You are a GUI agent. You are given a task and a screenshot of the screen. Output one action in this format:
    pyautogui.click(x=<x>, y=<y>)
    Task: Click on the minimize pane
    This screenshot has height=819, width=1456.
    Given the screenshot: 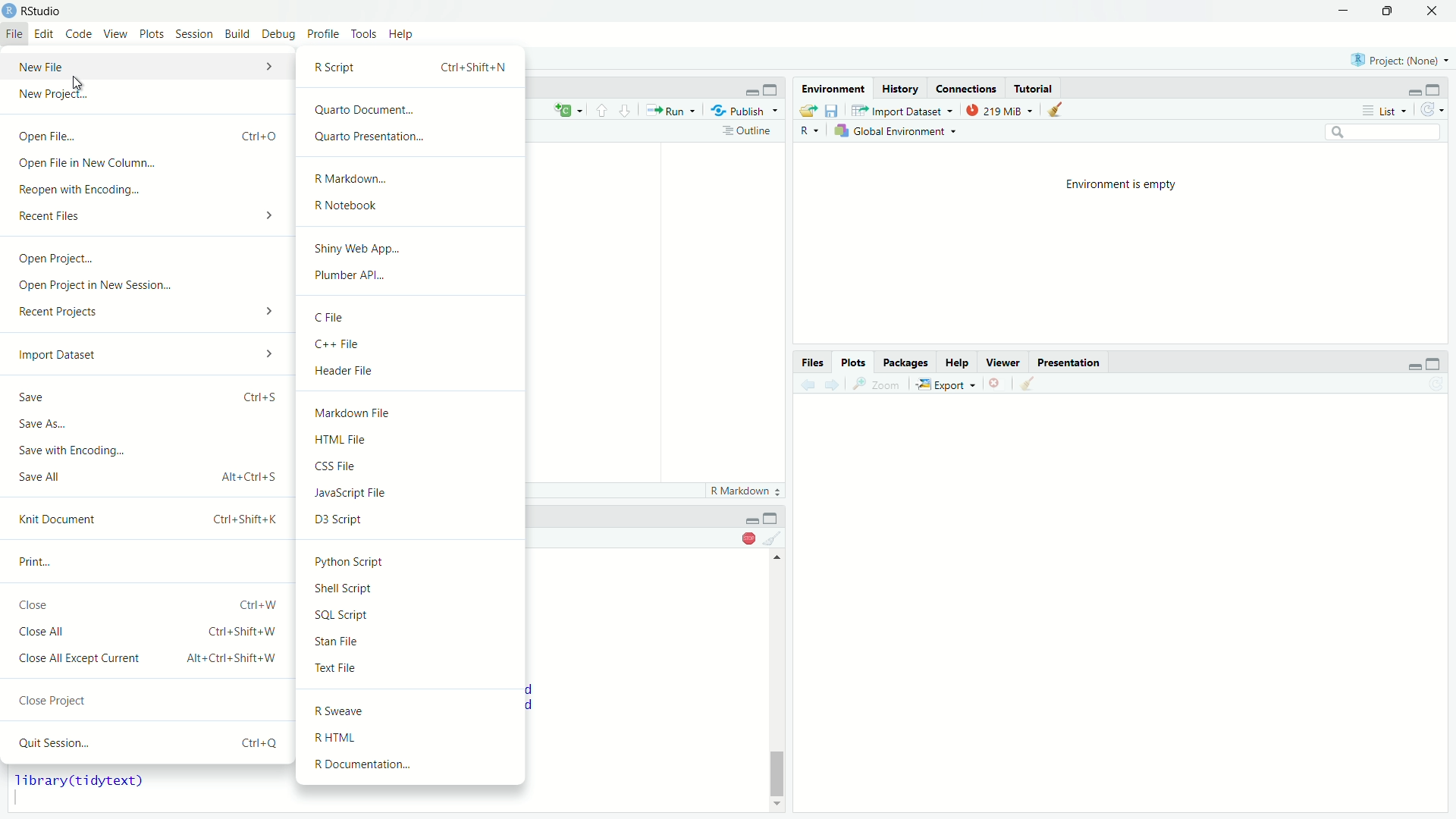 What is the action you would take?
    pyautogui.click(x=750, y=88)
    